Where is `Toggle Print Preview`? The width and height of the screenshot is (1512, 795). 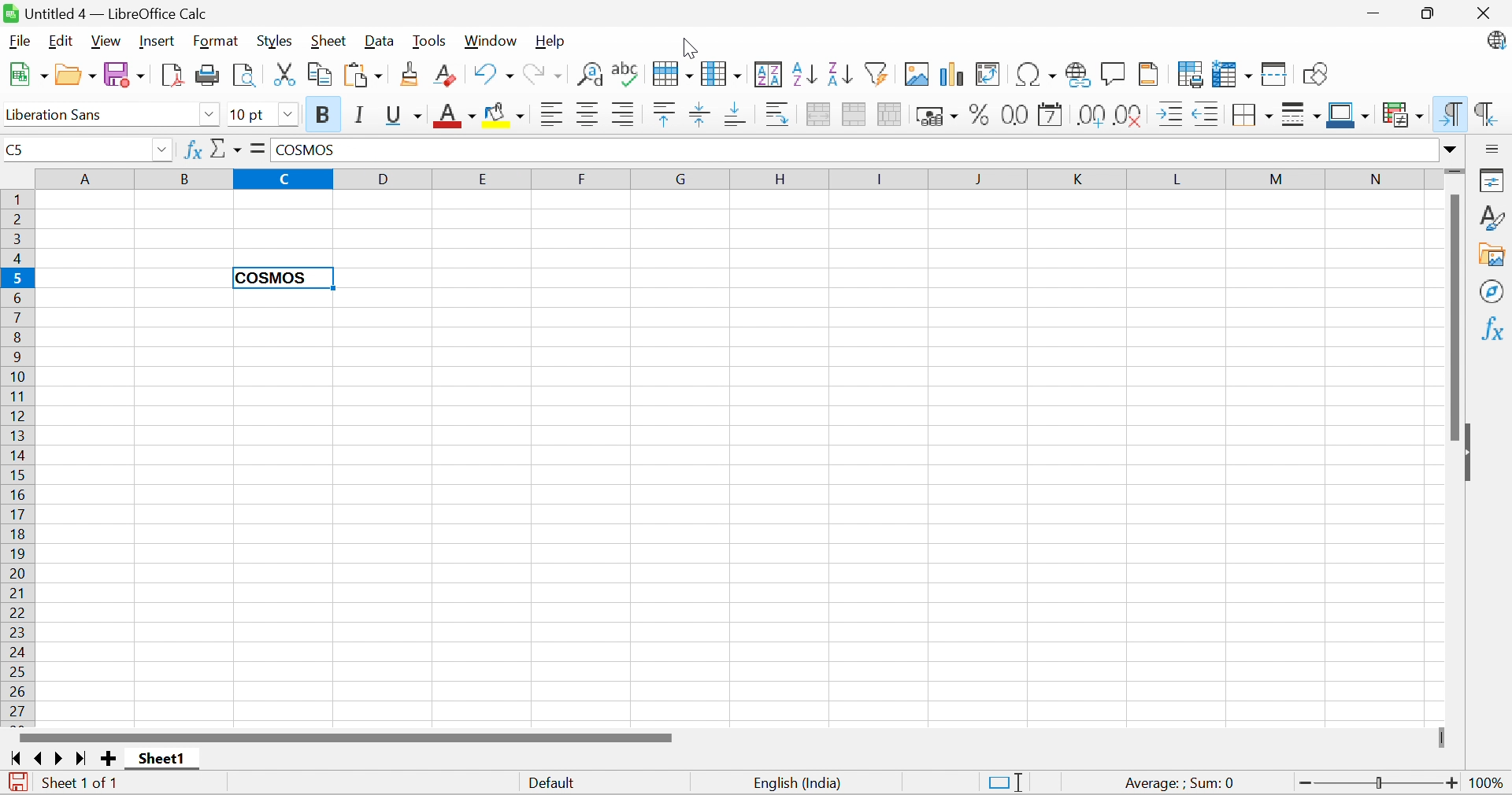
Toggle Print Preview is located at coordinates (245, 74).